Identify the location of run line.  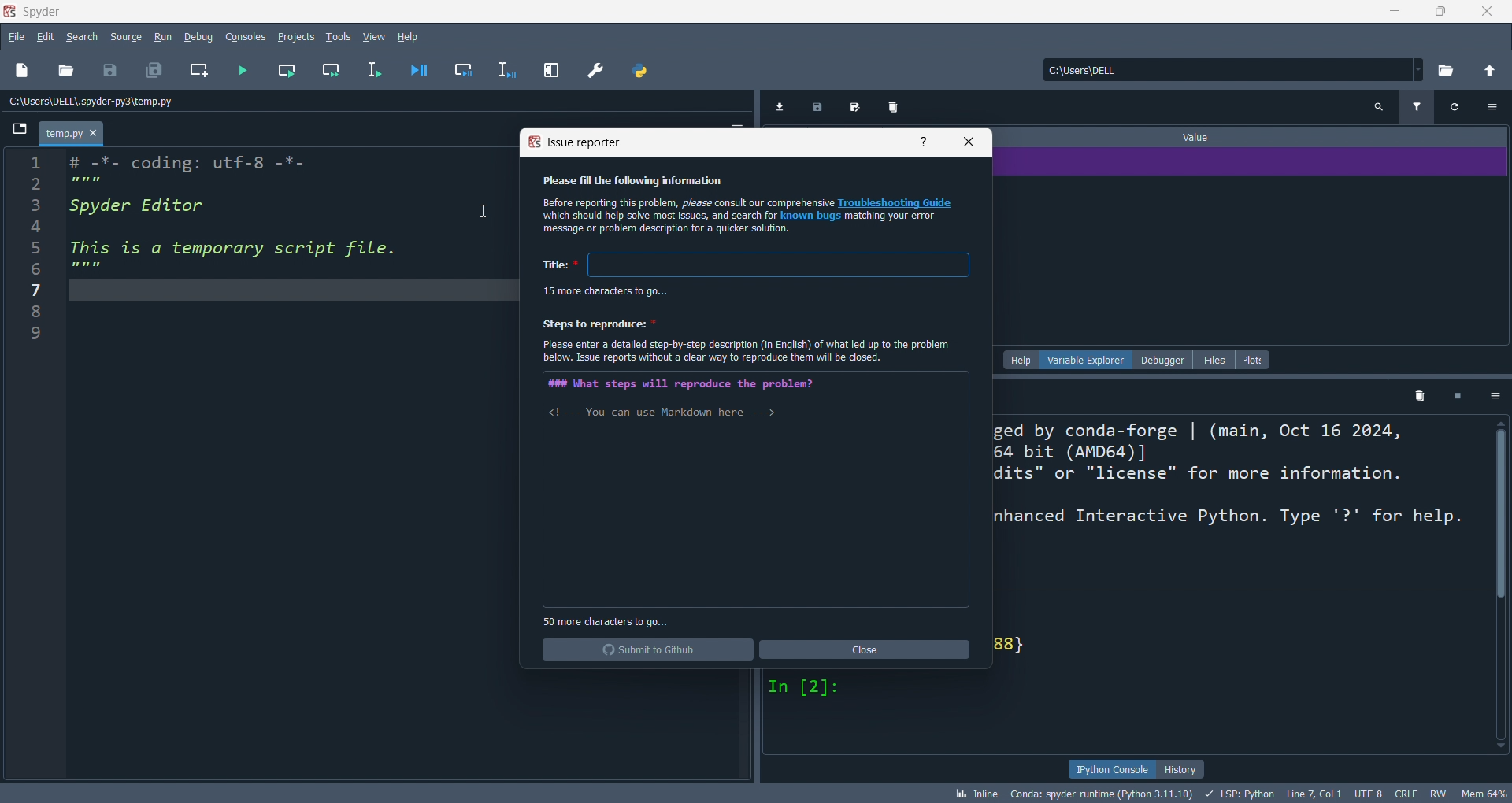
(376, 71).